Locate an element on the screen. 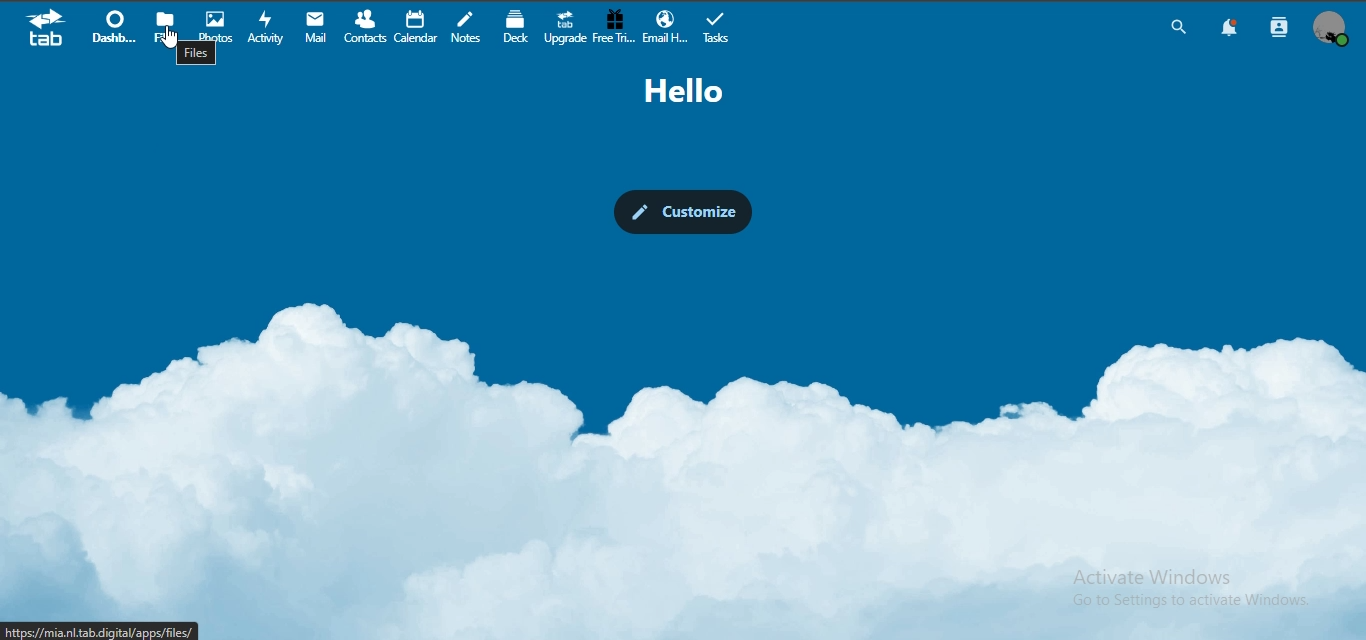 This screenshot has height=640, width=1366. mail is located at coordinates (318, 26).